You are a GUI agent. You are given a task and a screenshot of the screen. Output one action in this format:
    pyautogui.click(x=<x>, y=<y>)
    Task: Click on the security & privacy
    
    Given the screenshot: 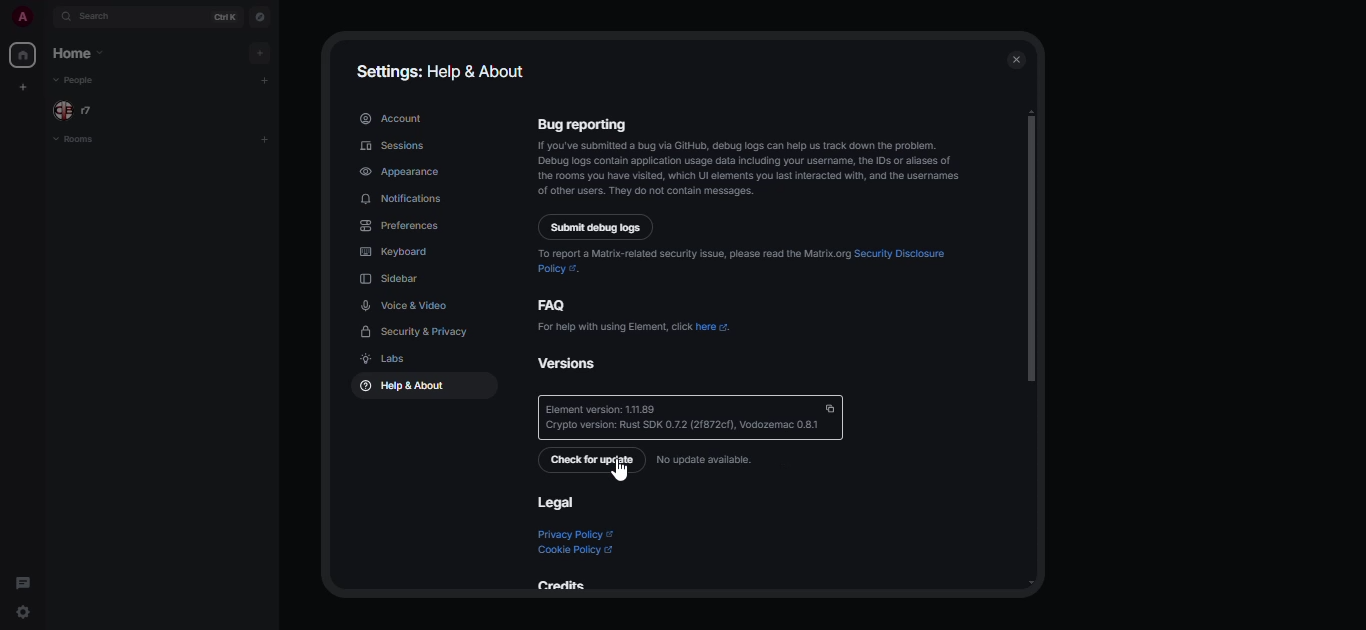 What is the action you would take?
    pyautogui.click(x=419, y=332)
    